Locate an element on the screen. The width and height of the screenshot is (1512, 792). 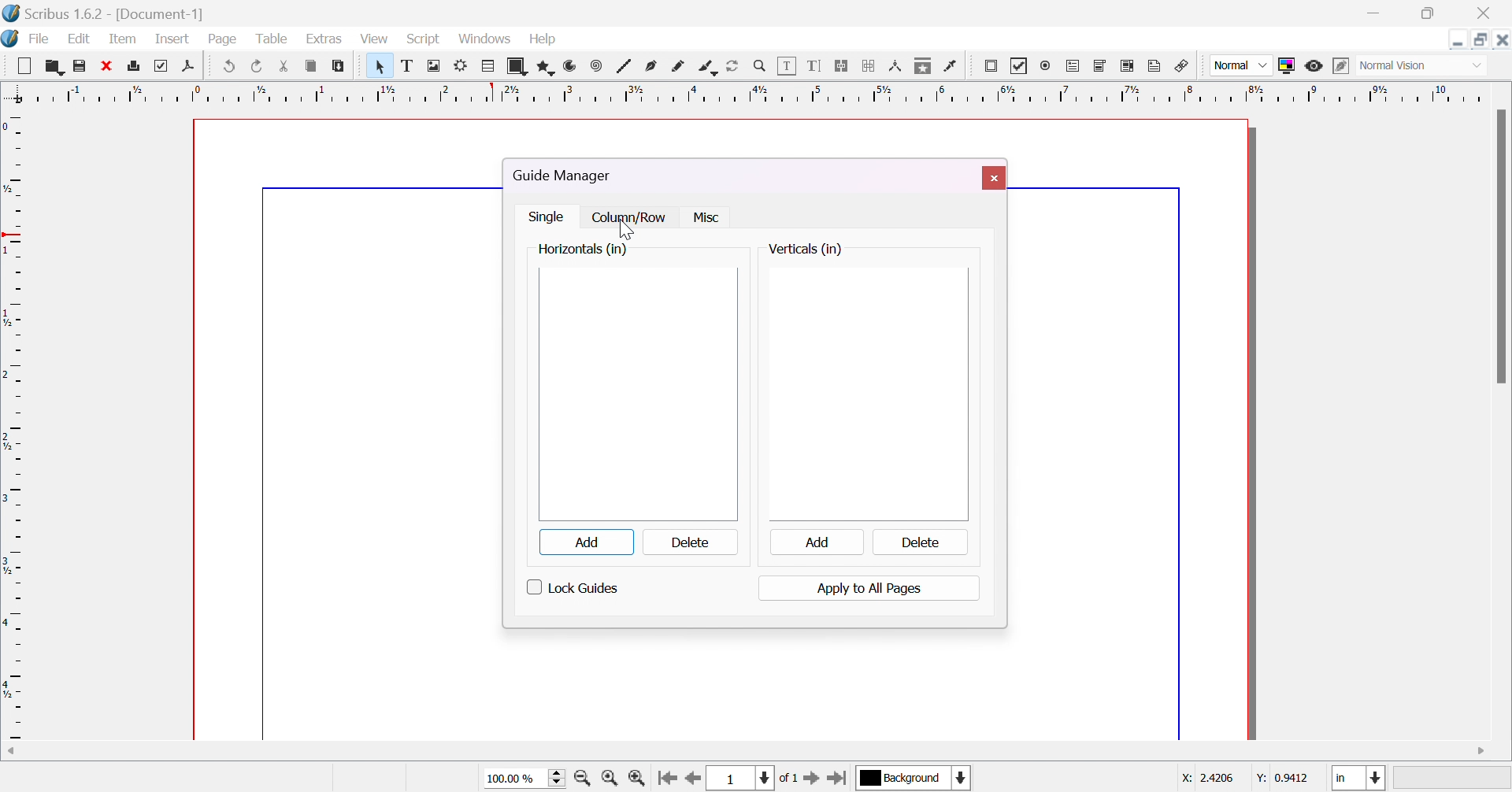
delete is located at coordinates (920, 541).